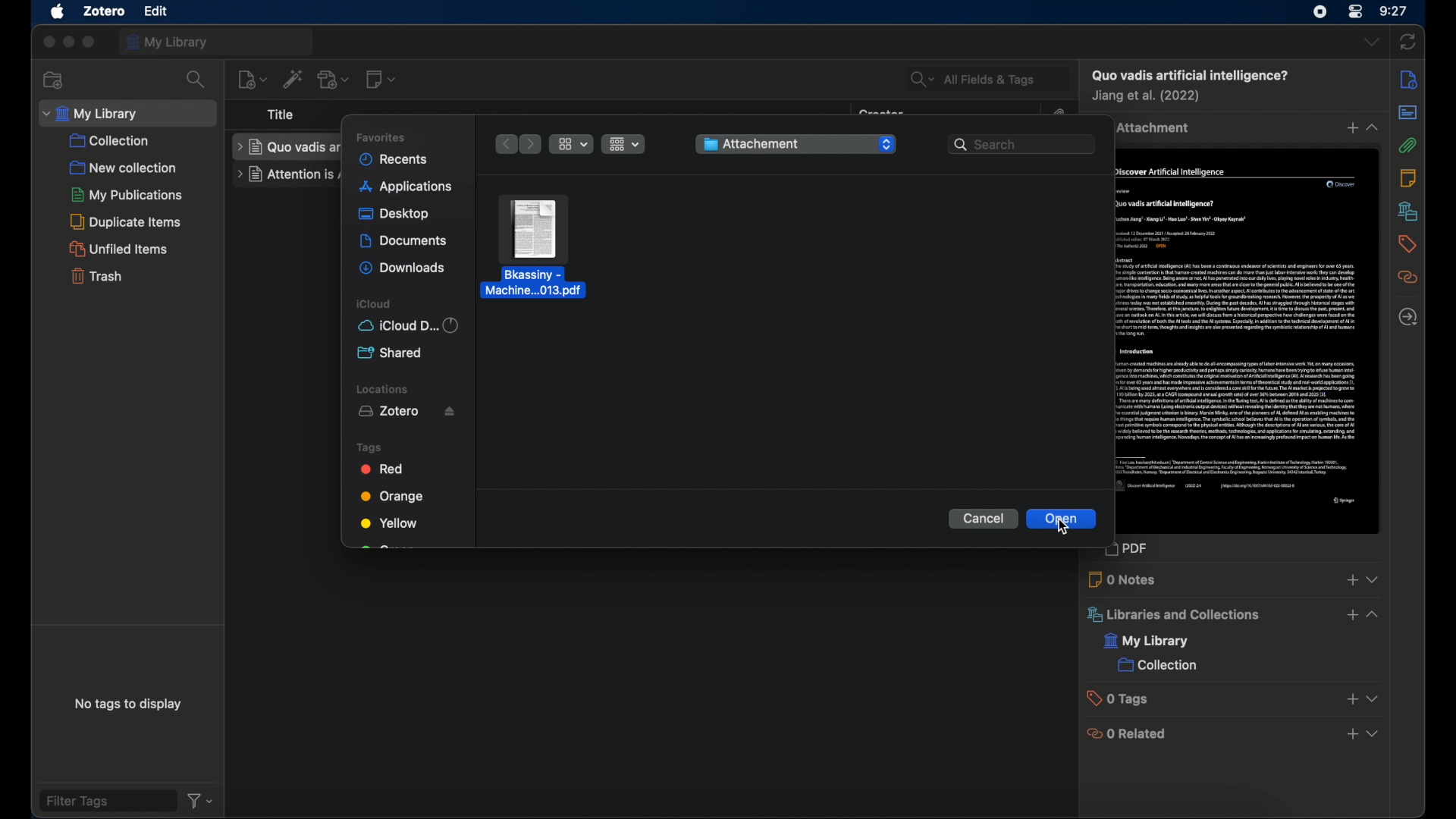 The width and height of the screenshot is (1456, 819). Describe the element at coordinates (125, 194) in the screenshot. I see `my publications` at that location.